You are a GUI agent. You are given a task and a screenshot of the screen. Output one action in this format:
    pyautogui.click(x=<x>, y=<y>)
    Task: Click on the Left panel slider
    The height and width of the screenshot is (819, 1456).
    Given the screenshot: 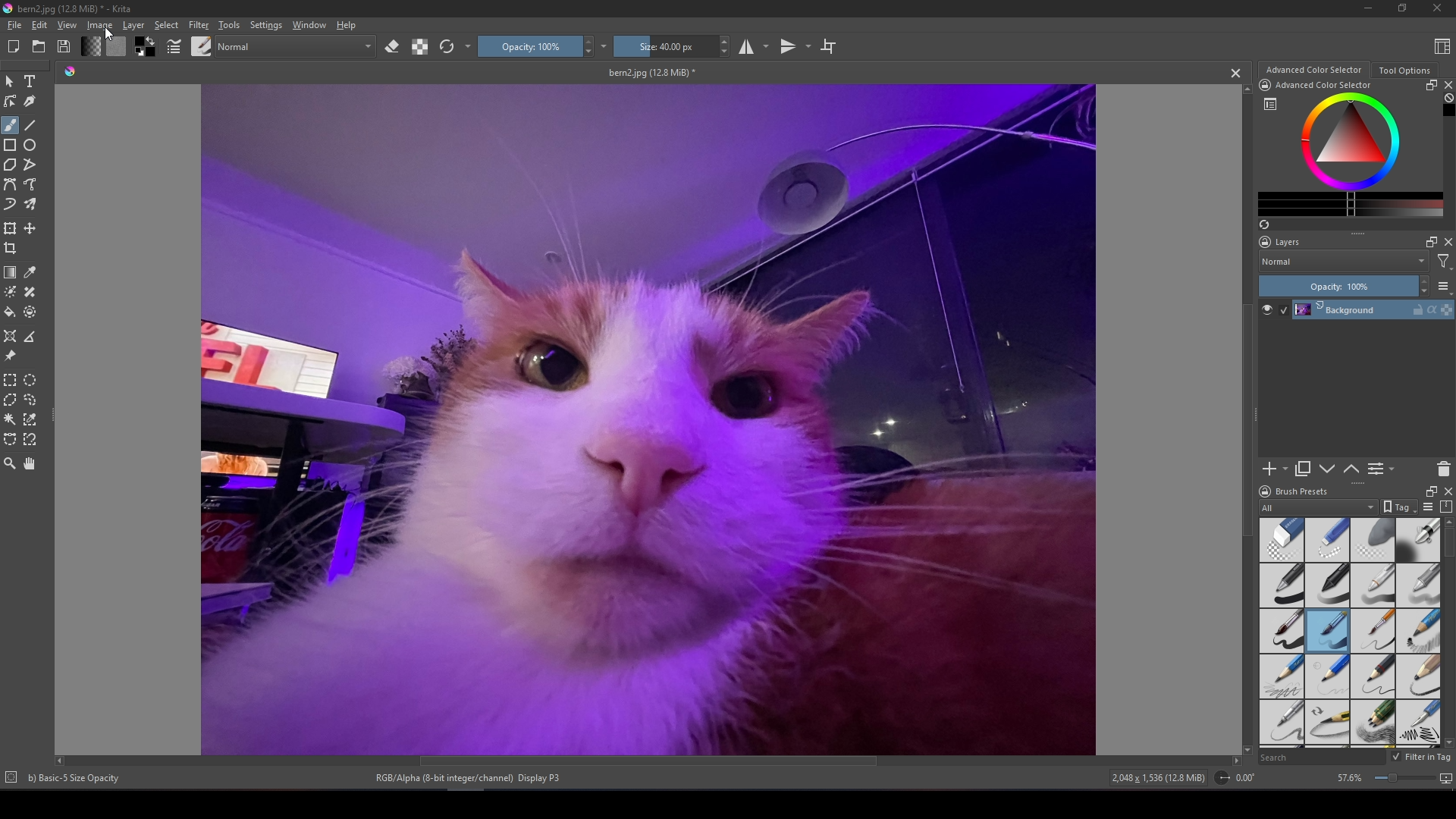 What is the action you would take?
    pyautogui.click(x=55, y=416)
    